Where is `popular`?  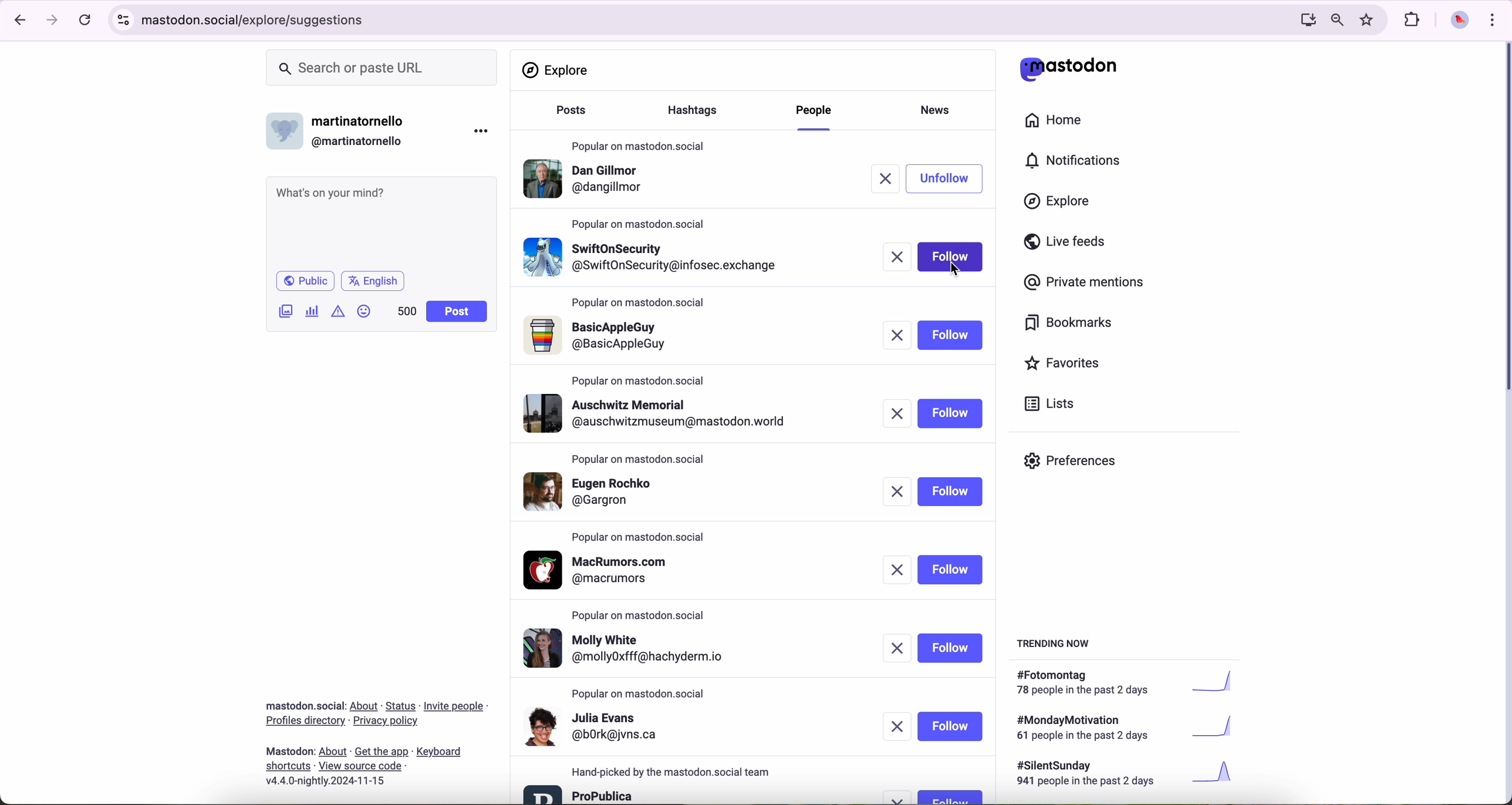 popular is located at coordinates (639, 380).